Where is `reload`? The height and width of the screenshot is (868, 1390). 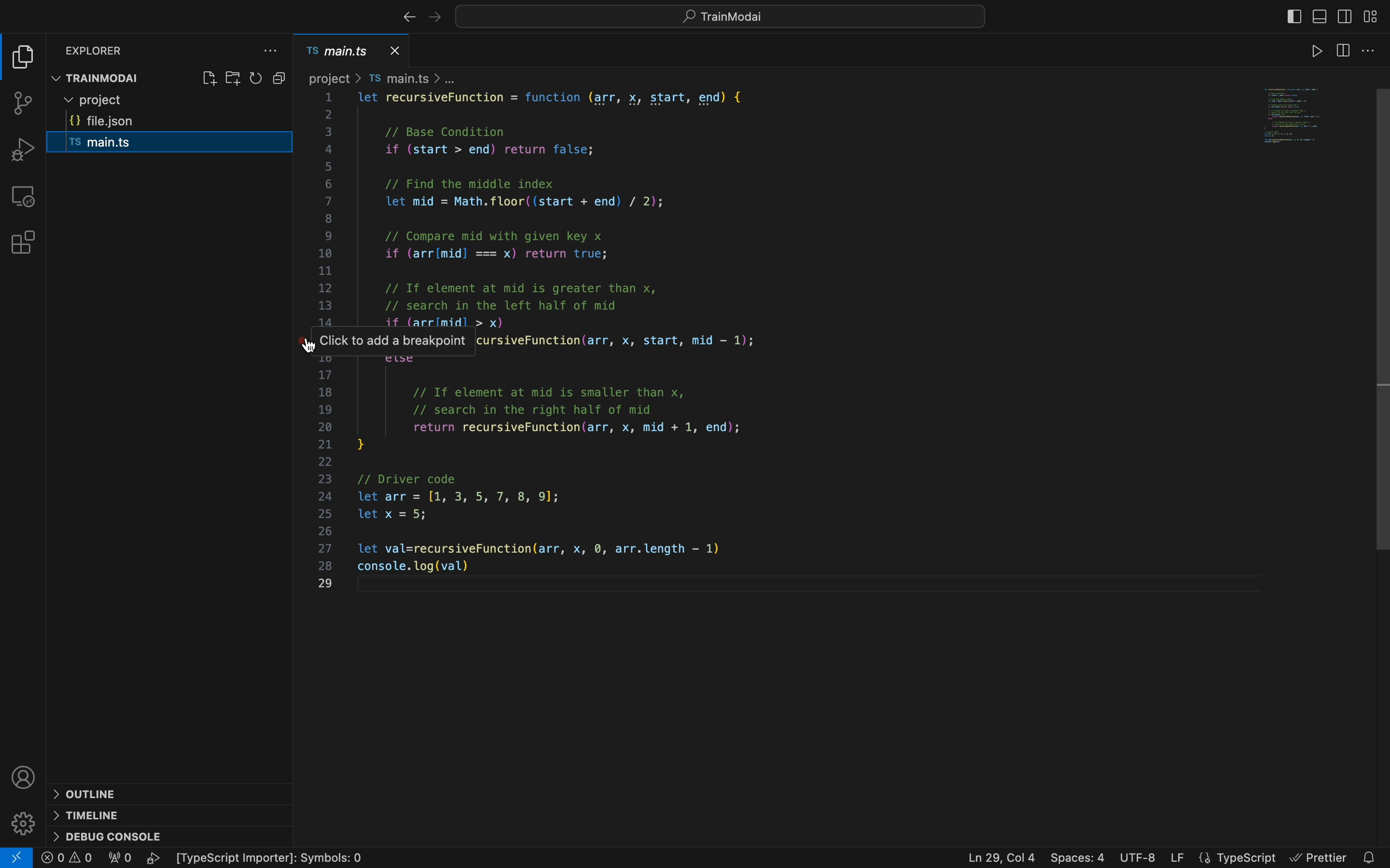 reload is located at coordinates (257, 80).